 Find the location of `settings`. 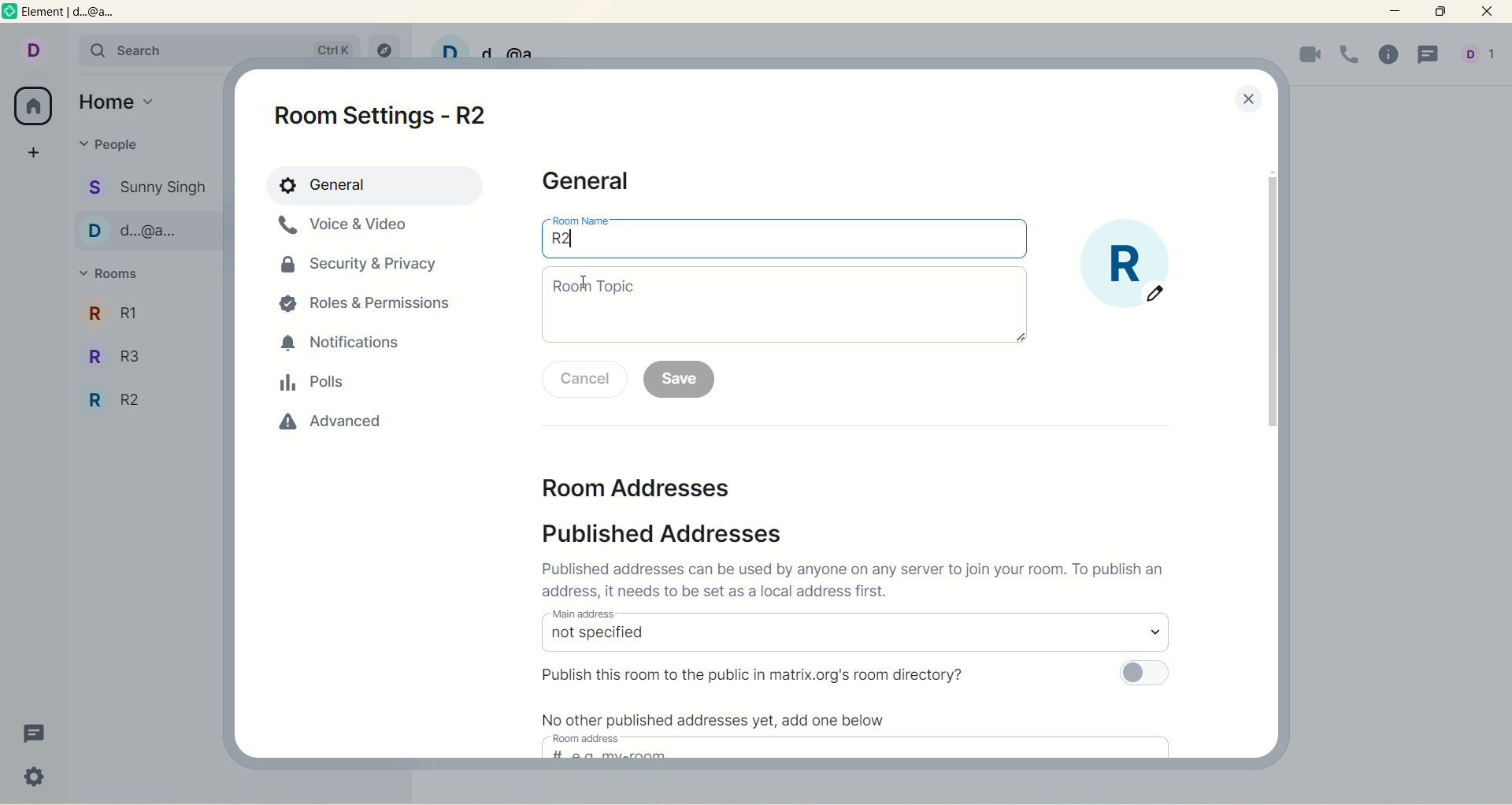

settings is located at coordinates (35, 779).